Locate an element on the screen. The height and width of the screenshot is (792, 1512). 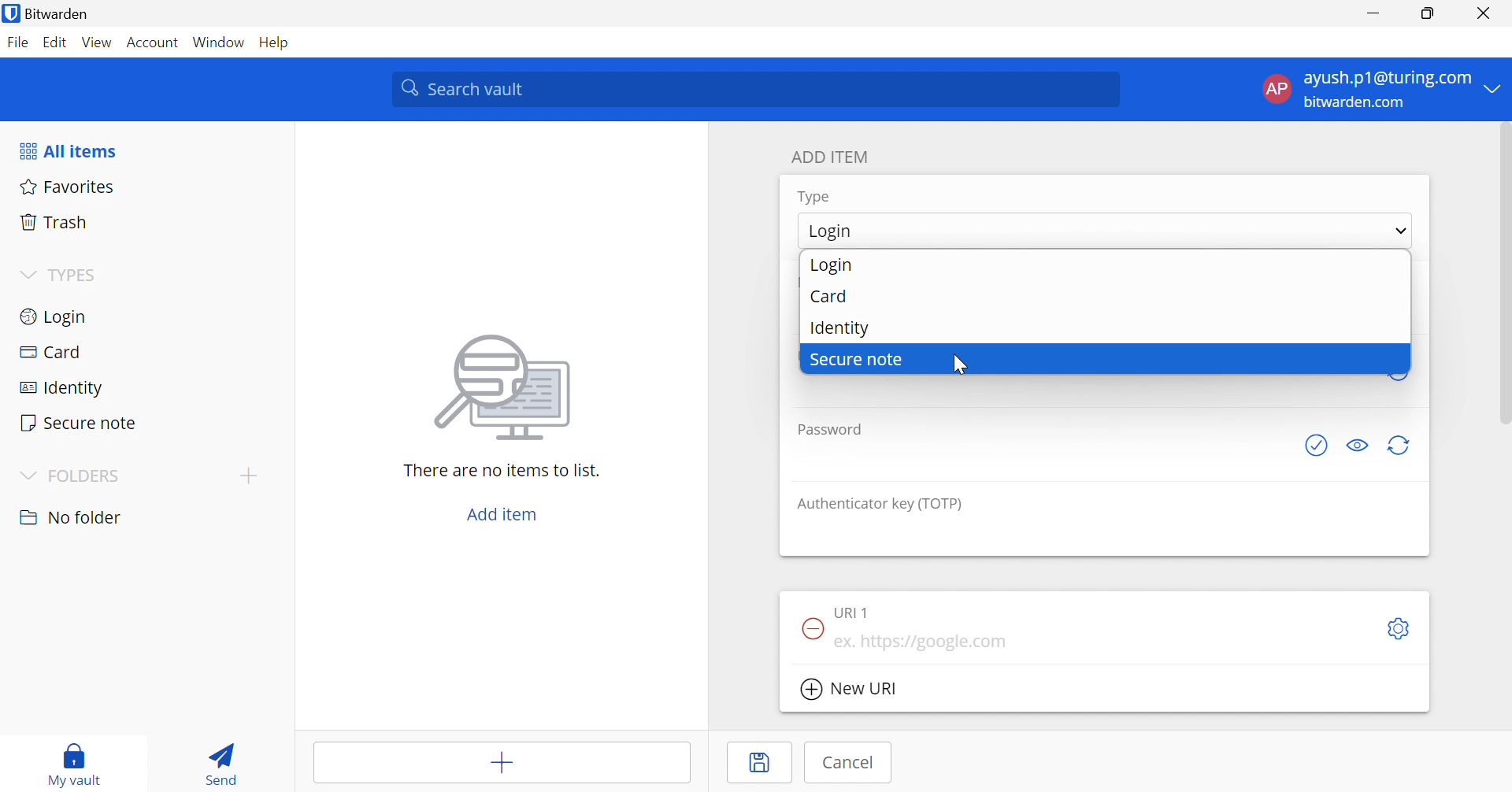
All items is located at coordinates (67, 149).